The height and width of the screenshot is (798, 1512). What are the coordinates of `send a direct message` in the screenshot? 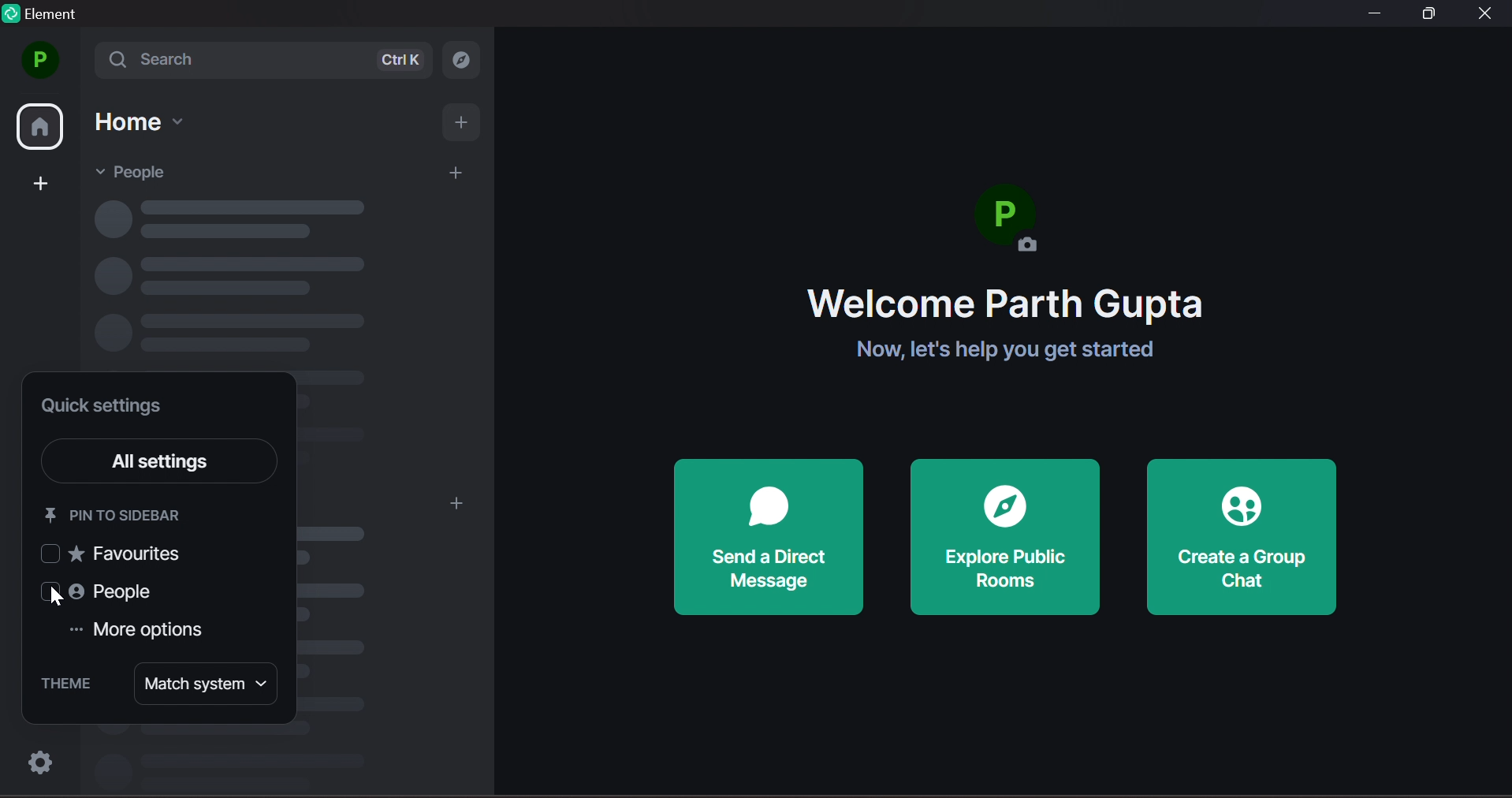 It's located at (769, 538).